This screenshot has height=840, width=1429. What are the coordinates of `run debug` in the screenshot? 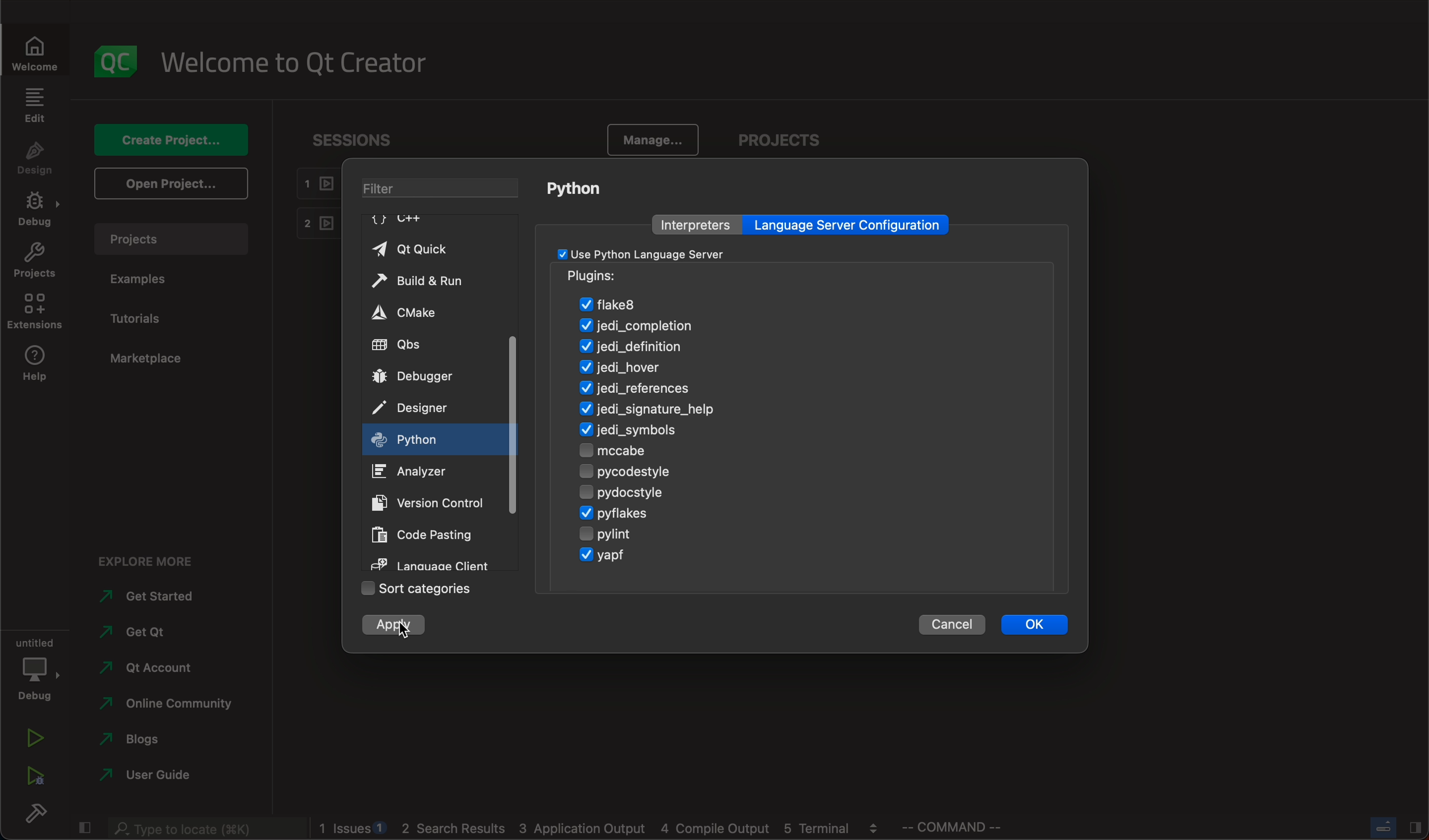 It's located at (31, 778).